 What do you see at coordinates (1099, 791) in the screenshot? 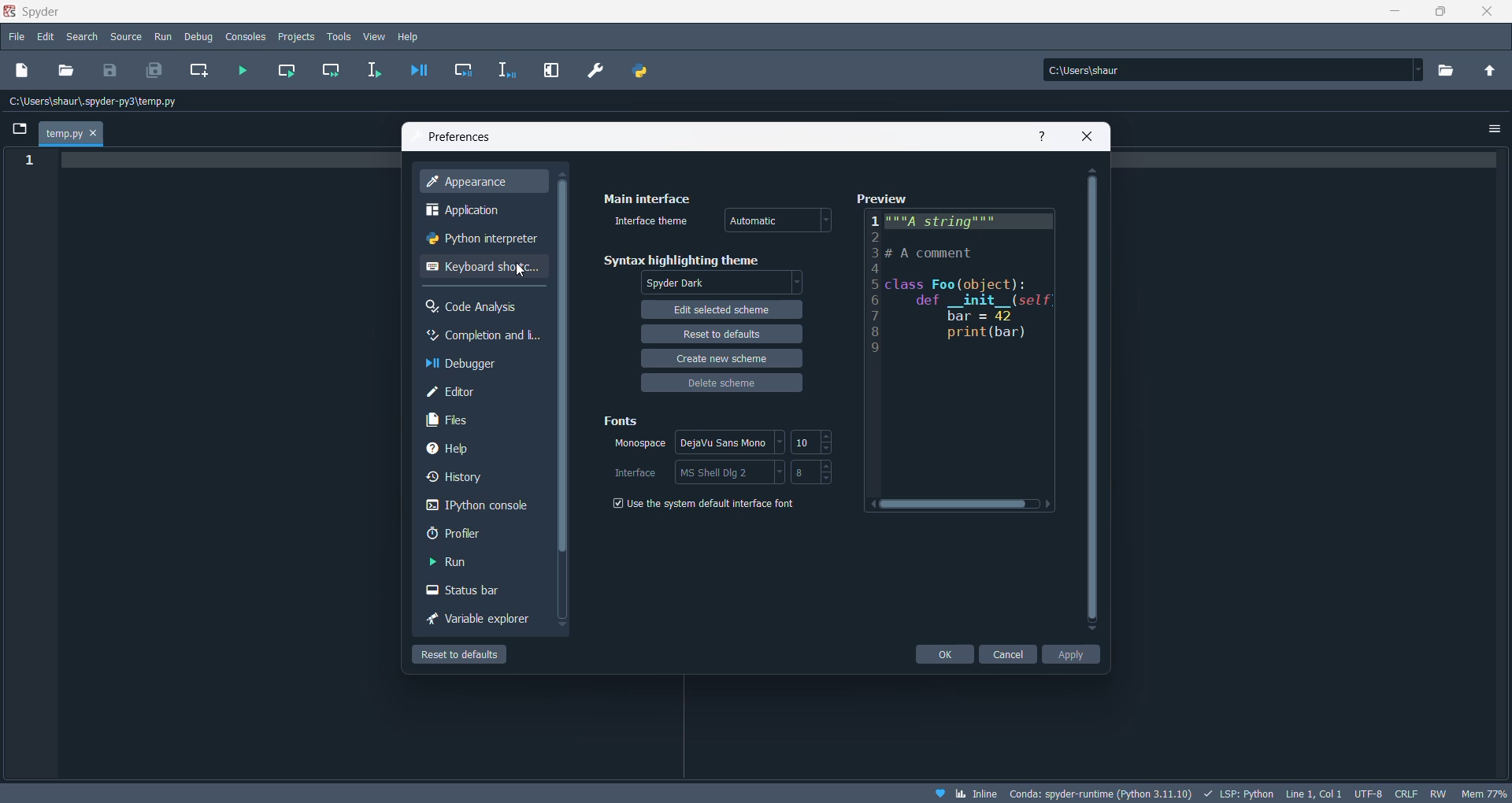
I see `spider version` at bounding box center [1099, 791].